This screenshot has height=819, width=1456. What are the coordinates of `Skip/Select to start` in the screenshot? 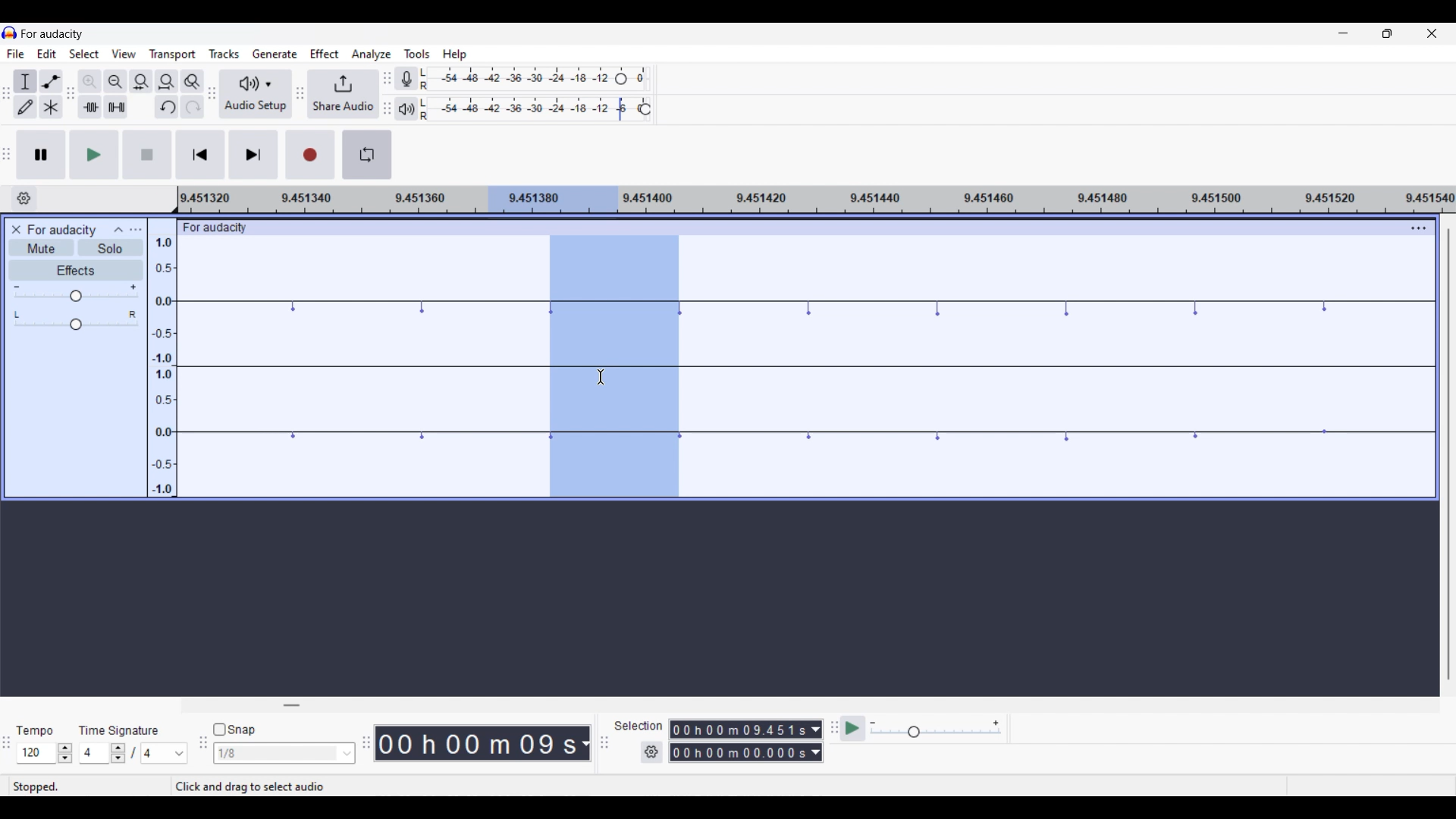 It's located at (200, 155).